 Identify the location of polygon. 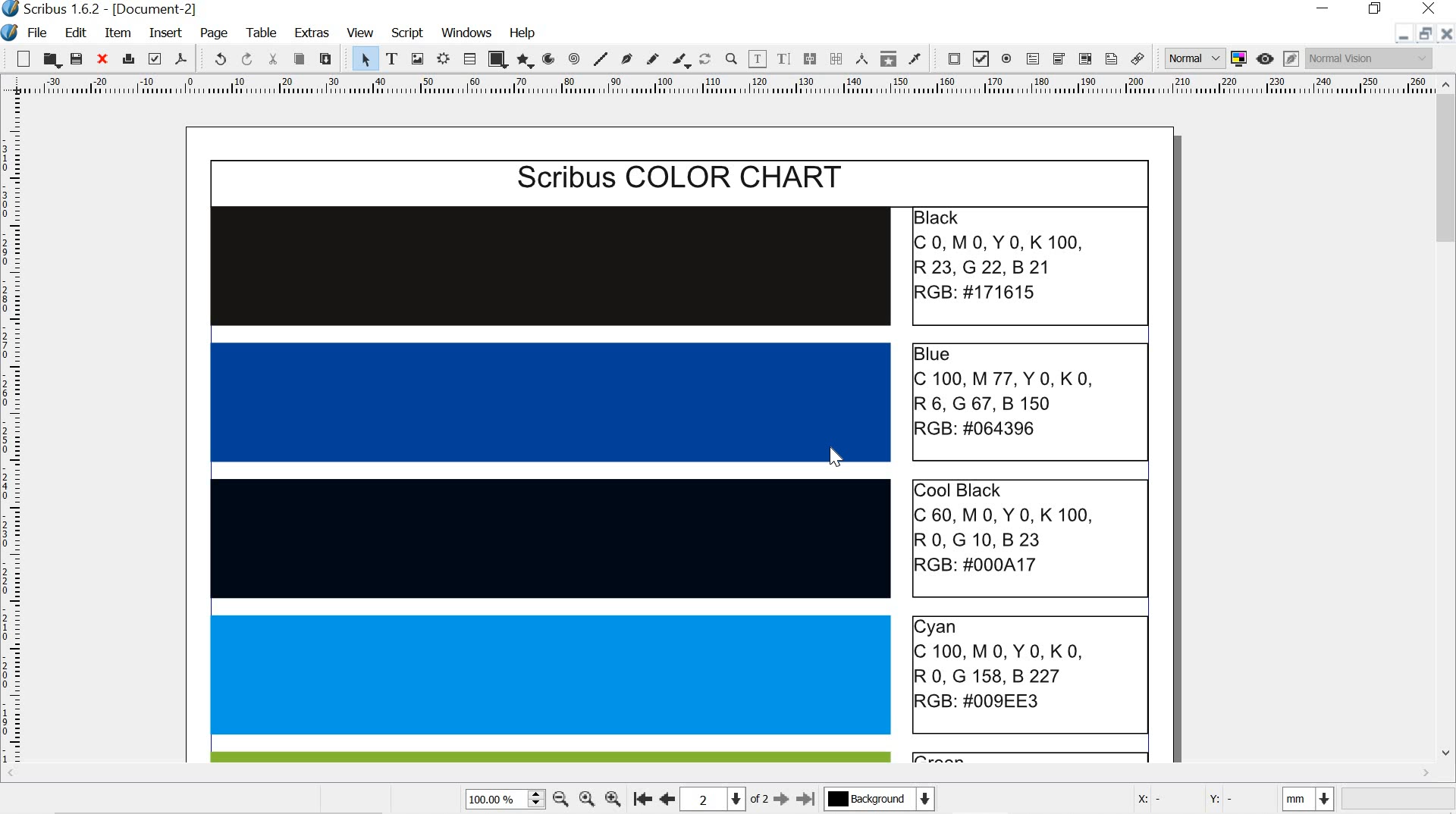
(526, 61).